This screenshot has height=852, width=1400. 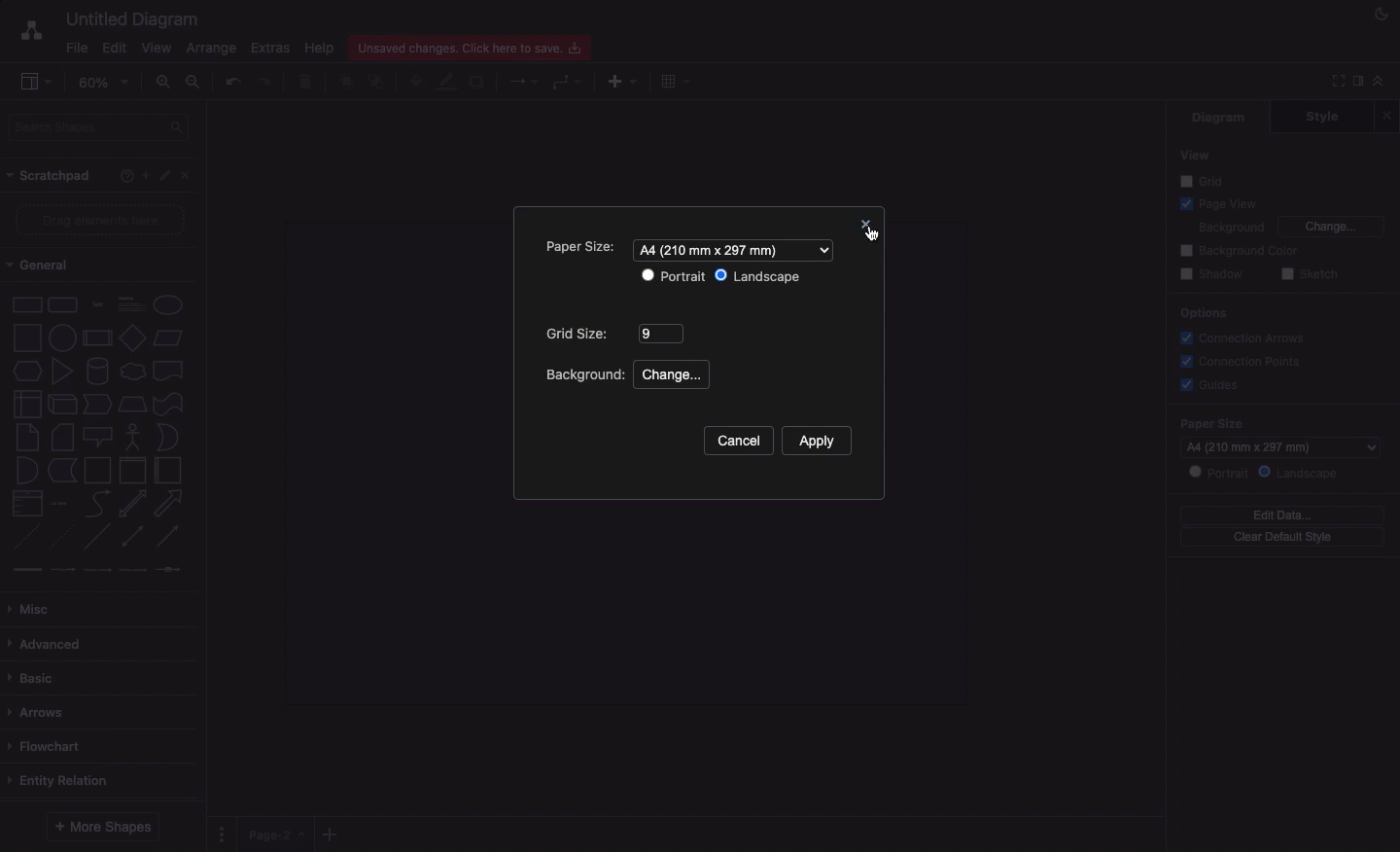 I want to click on Options, so click(x=225, y=833).